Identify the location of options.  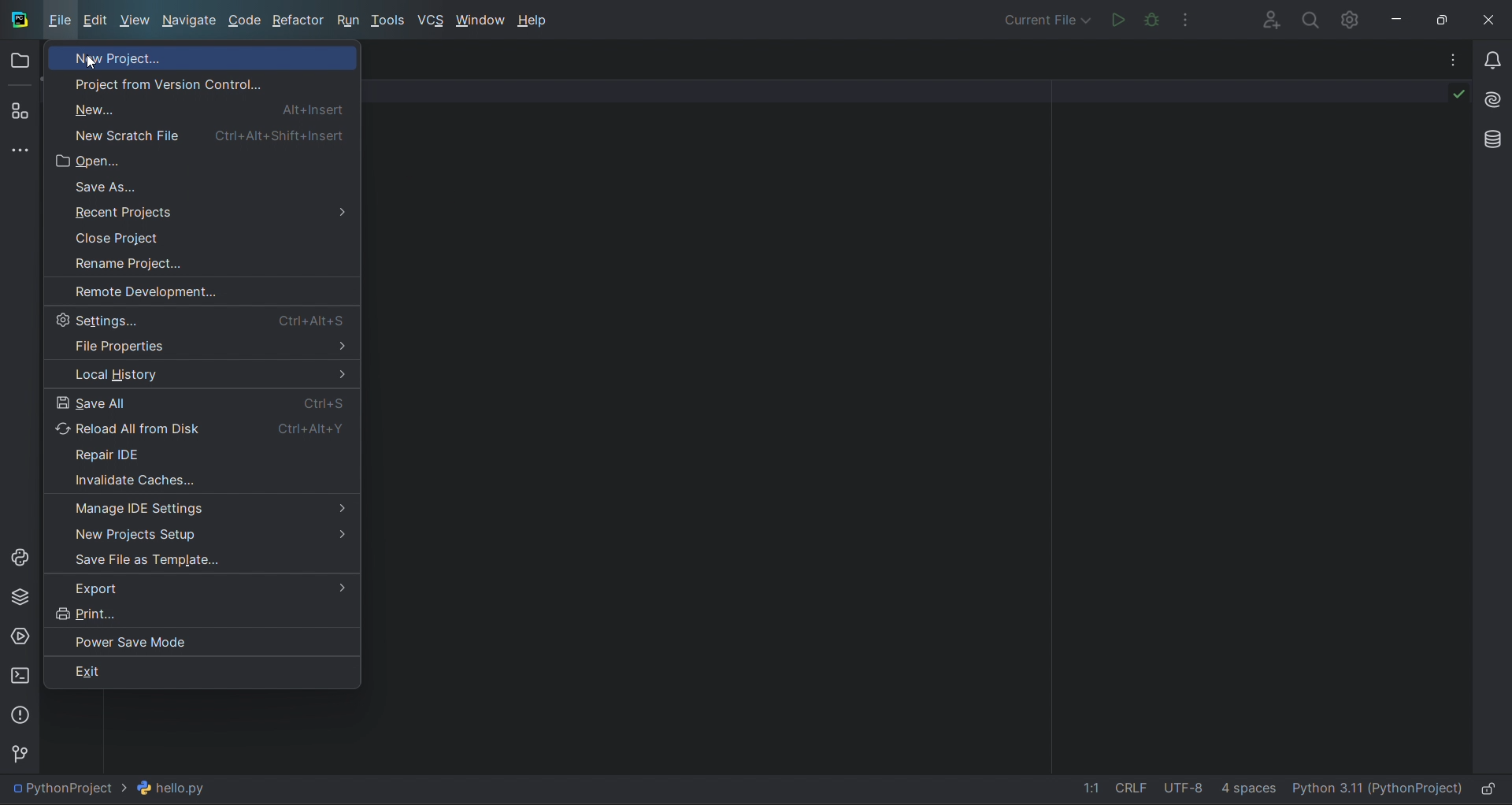
(1192, 18).